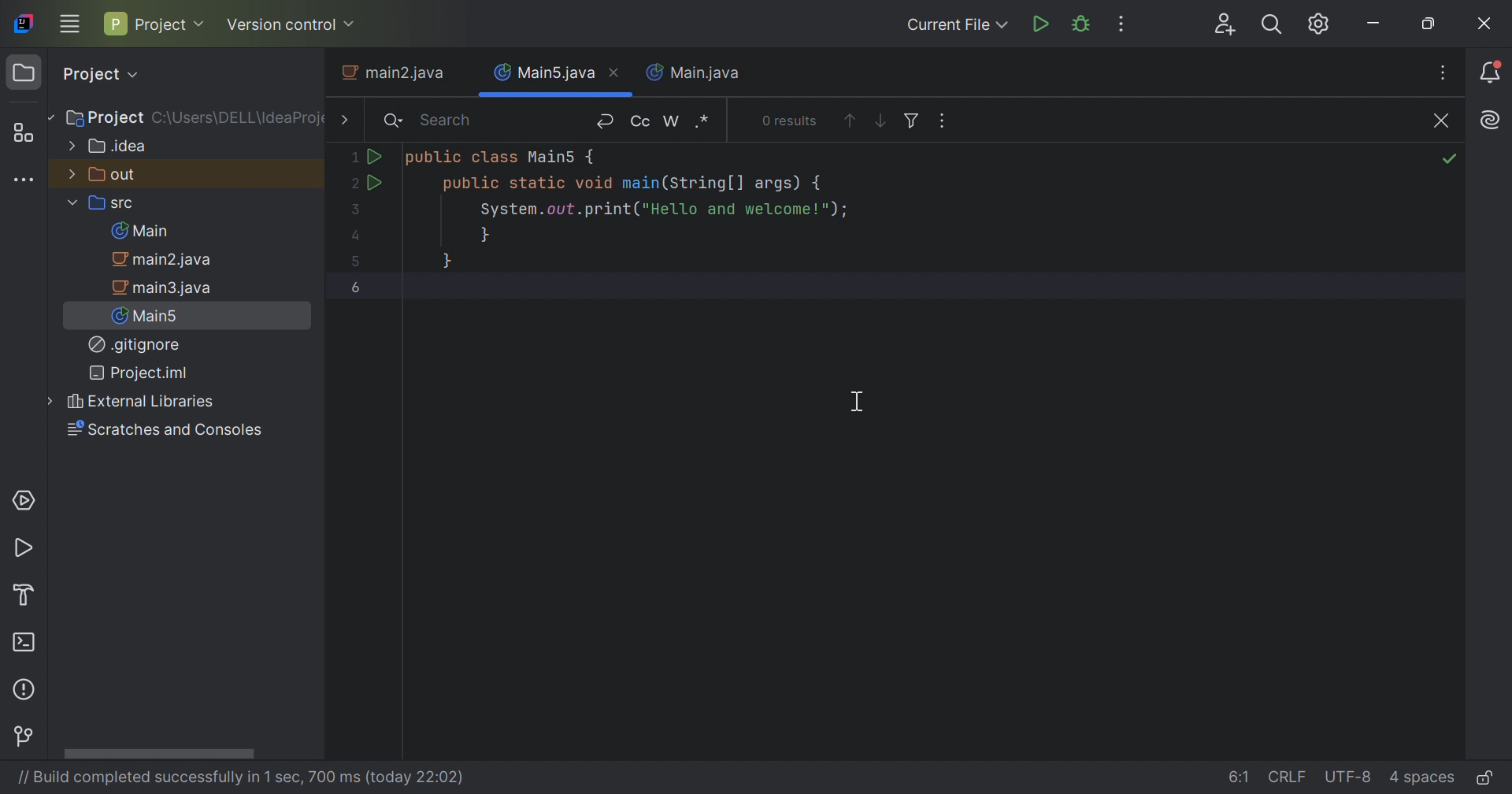  I want to click on External Libraries, so click(142, 401).